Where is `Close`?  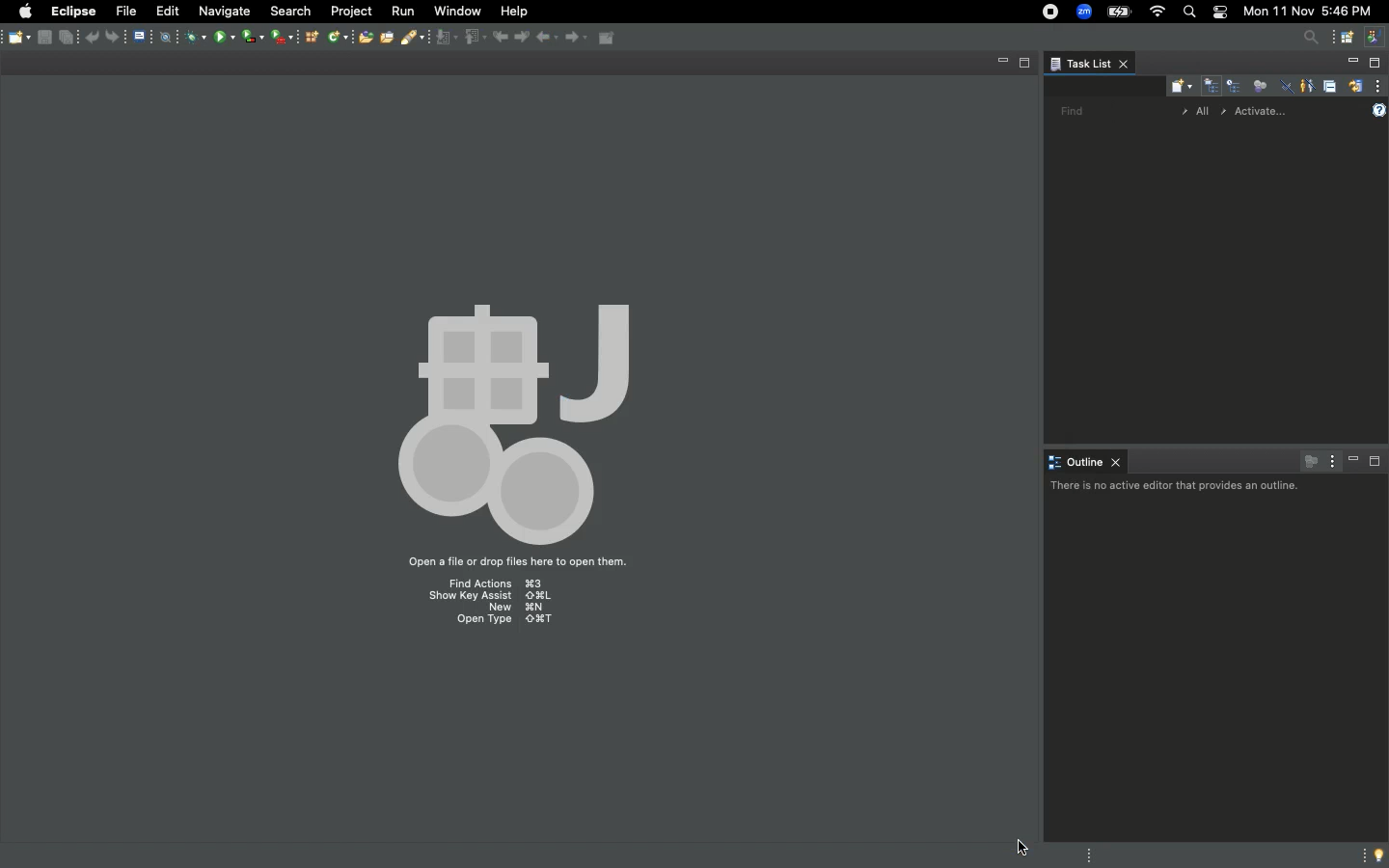 Close is located at coordinates (13, 36).